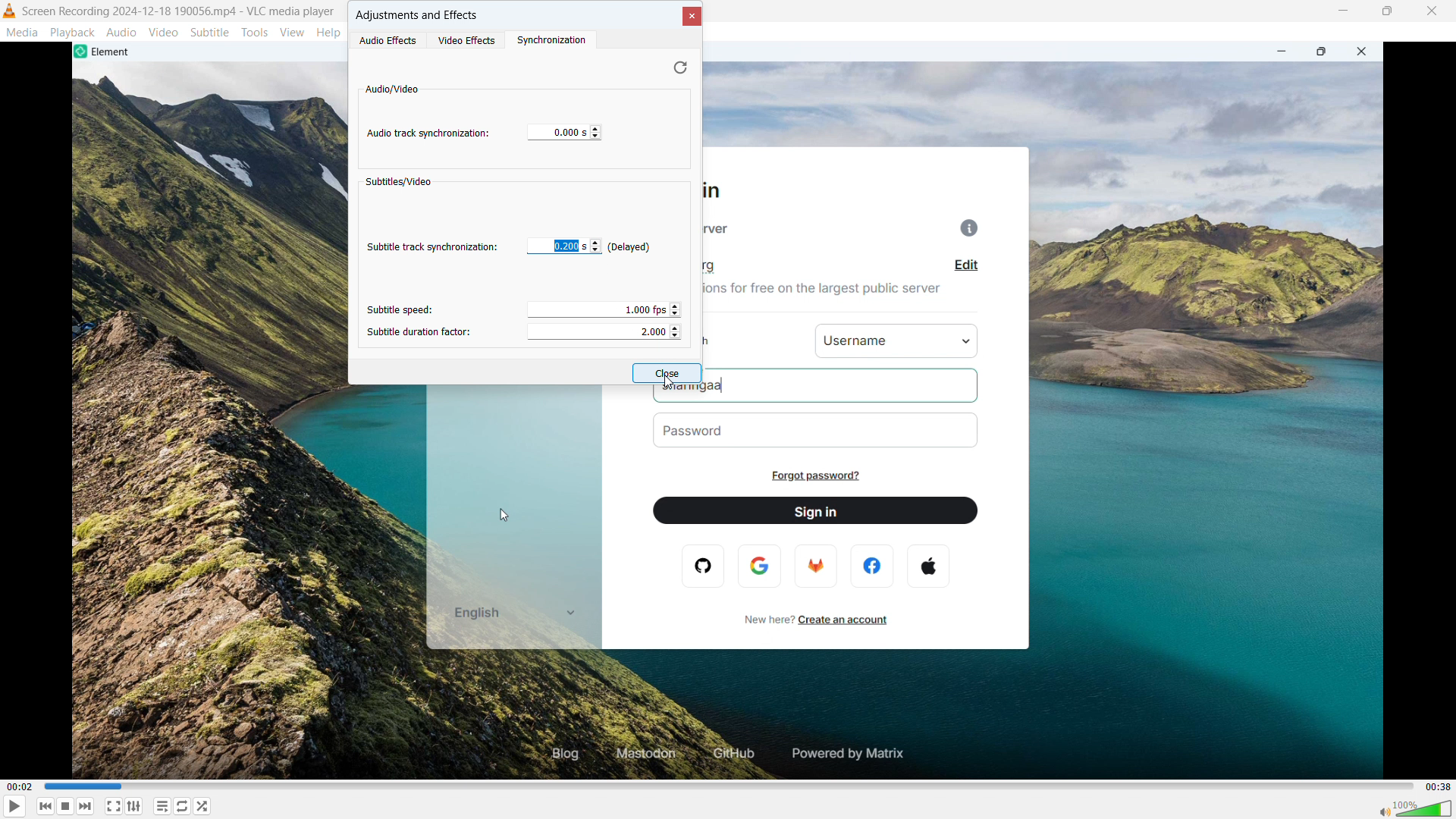 The height and width of the screenshot is (819, 1456). Describe the element at coordinates (549, 41) in the screenshot. I see `synchronization` at that location.